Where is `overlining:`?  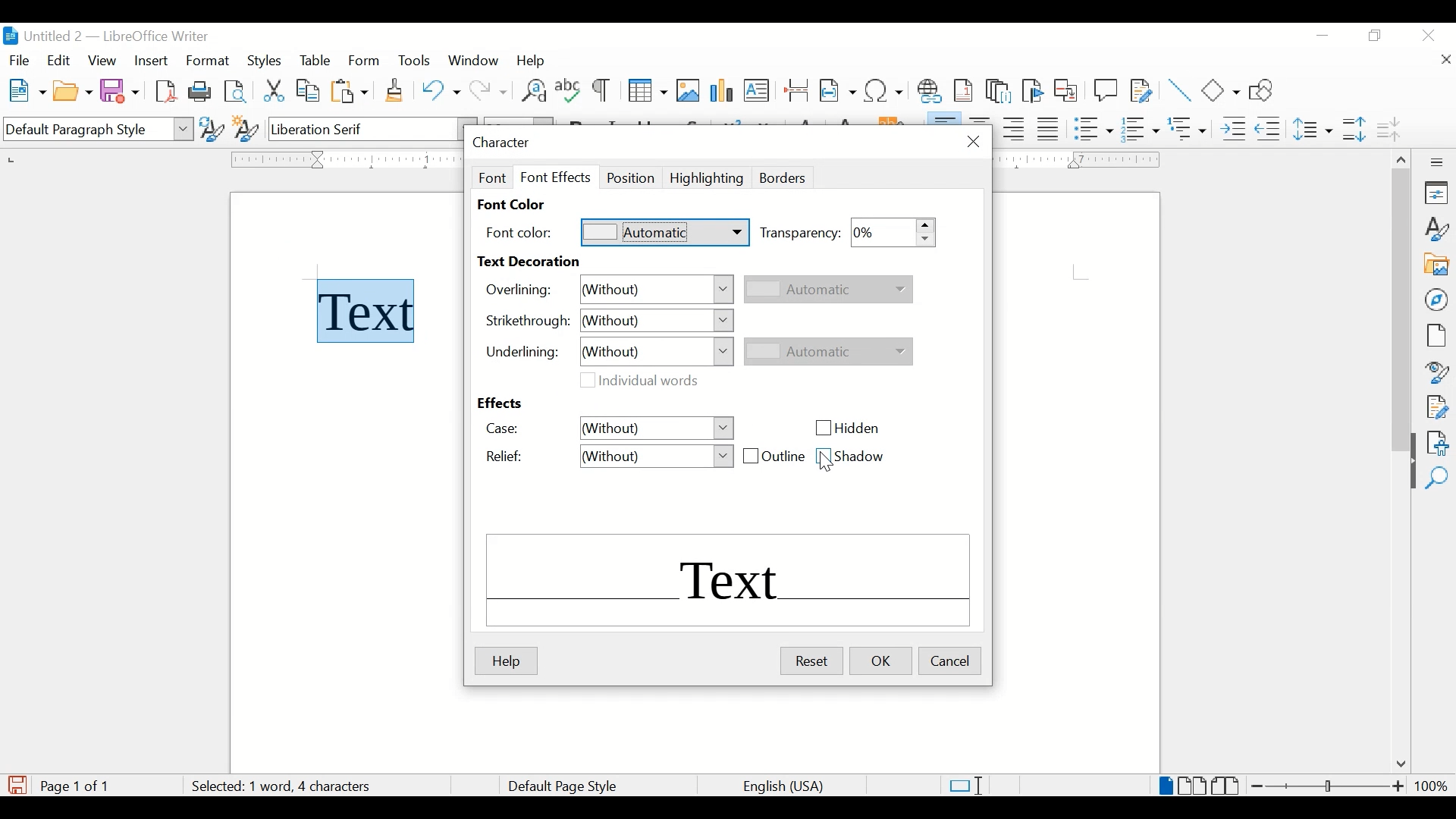 overlining: is located at coordinates (521, 292).